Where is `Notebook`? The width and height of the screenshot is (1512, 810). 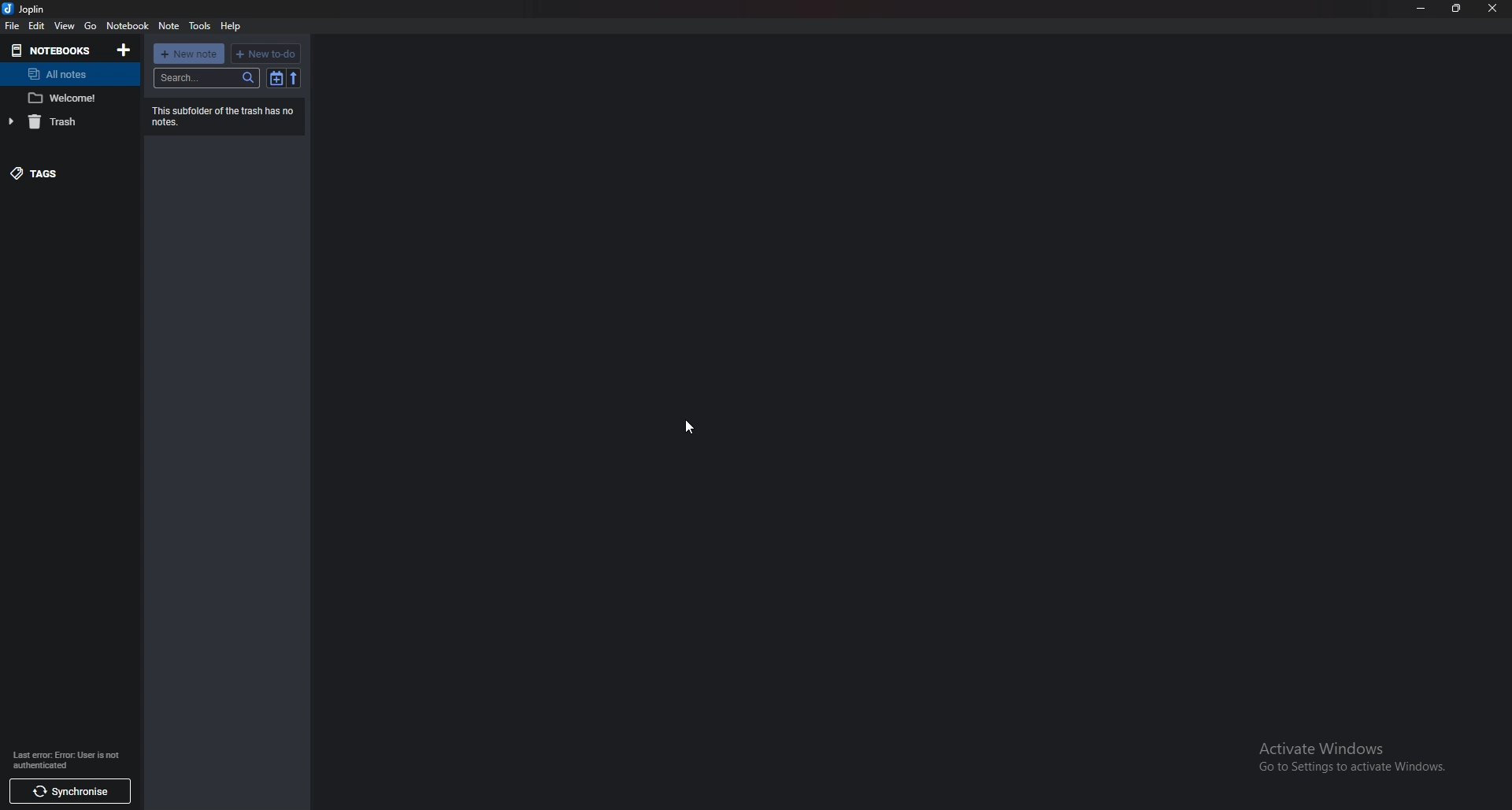 Notebook is located at coordinates (127, 26).